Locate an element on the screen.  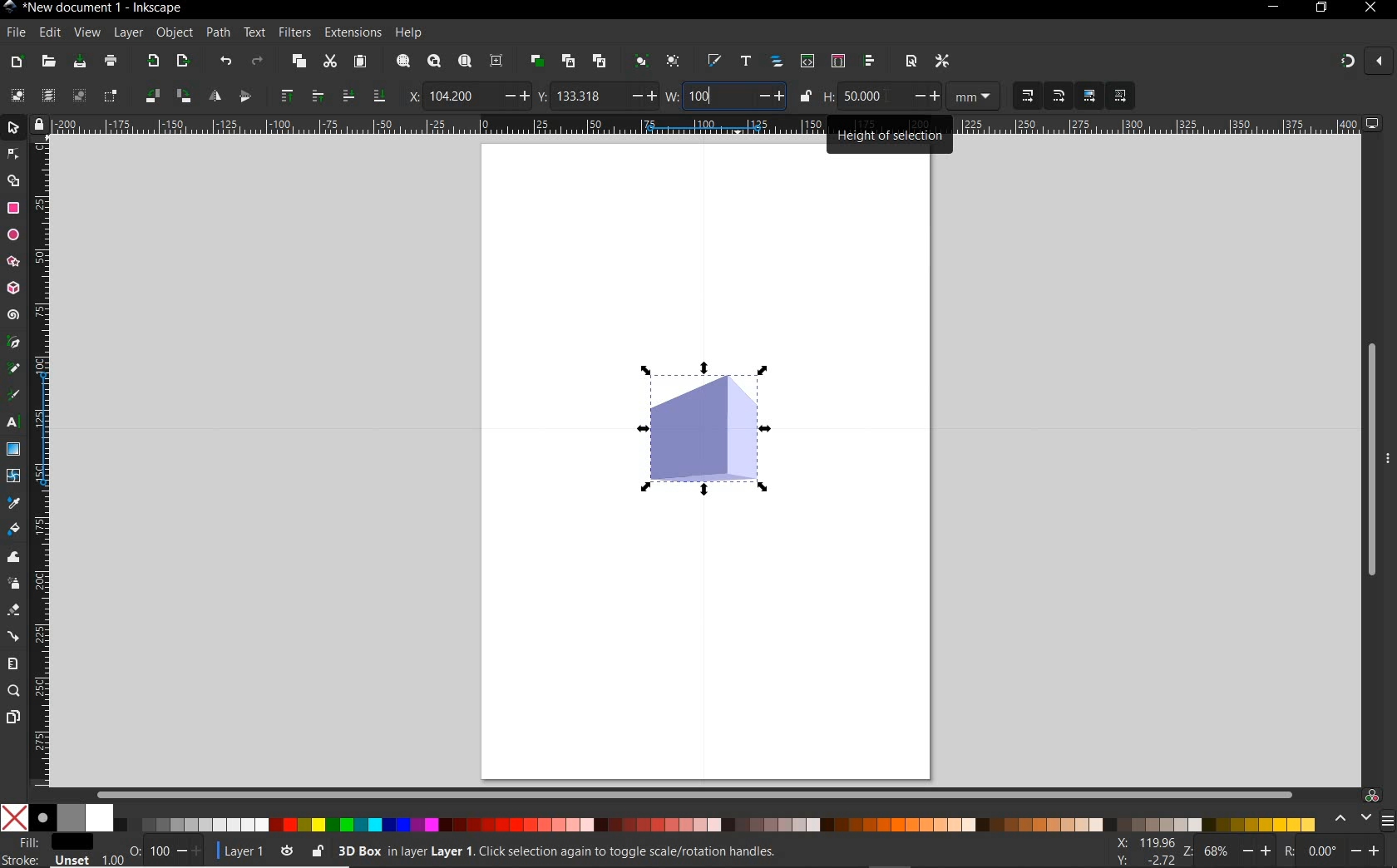
ruler is located at coordinates (42, 461).